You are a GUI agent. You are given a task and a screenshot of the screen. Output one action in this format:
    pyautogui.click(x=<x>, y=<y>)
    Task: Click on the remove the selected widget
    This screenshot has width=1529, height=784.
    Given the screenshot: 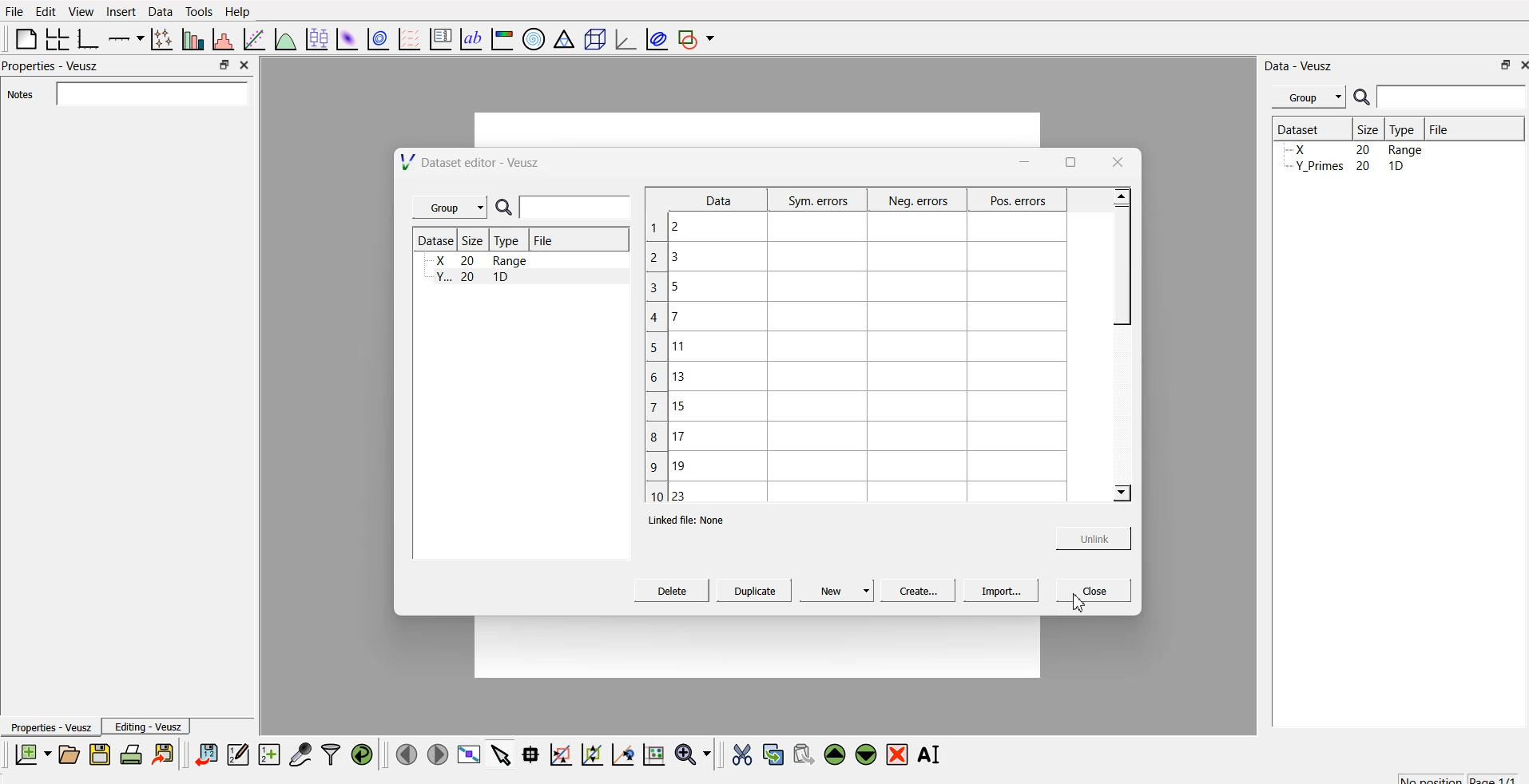 What is the action you would take?
    pyautogui.click(x=900, y=754)
    